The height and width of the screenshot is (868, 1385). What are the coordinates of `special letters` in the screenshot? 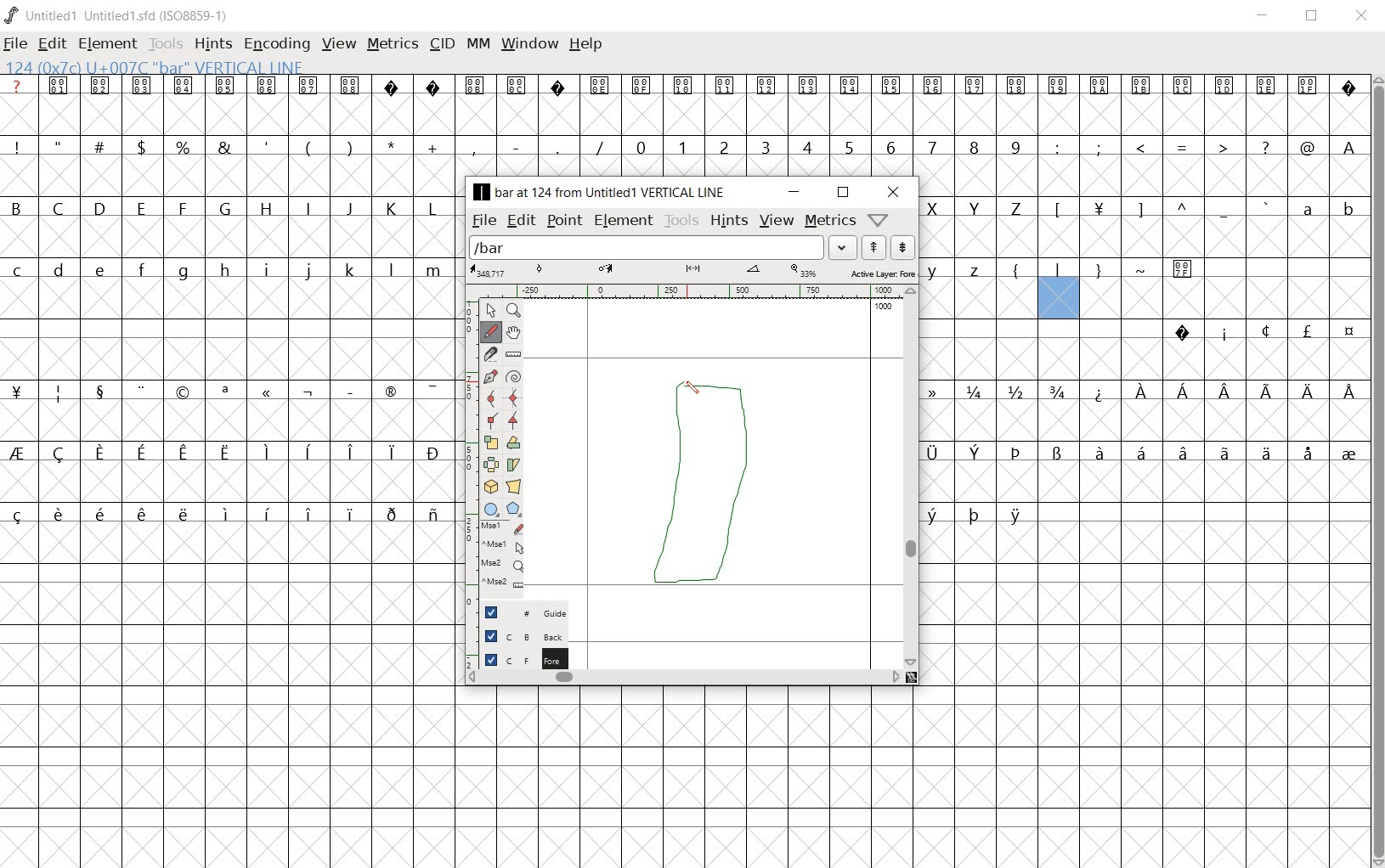 It's located at (232, 514).